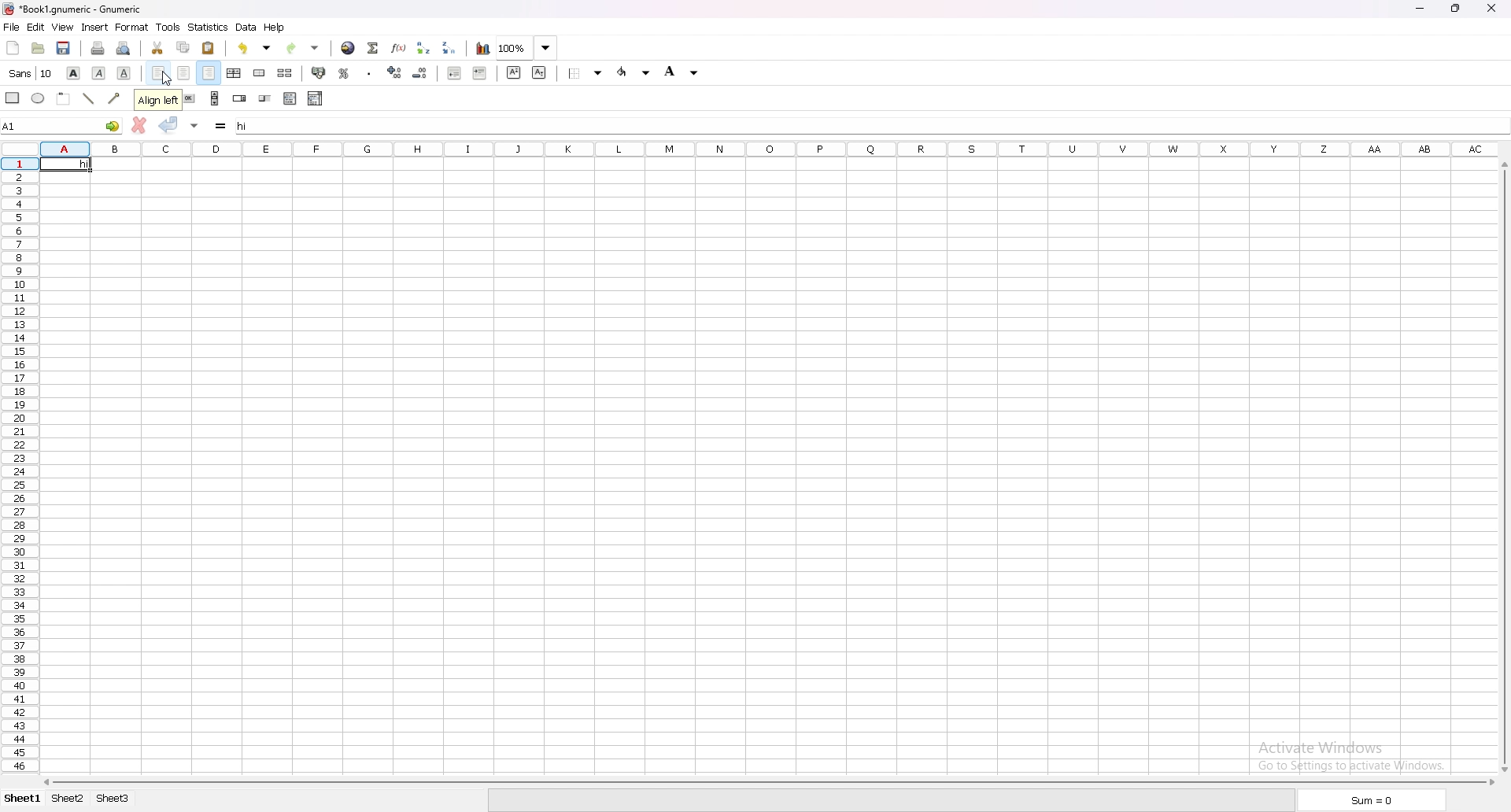 This screenshot has height=812, width=1511. Describe the element at coordinates (254, 48) in the screenshot. I see `undo` at that location.